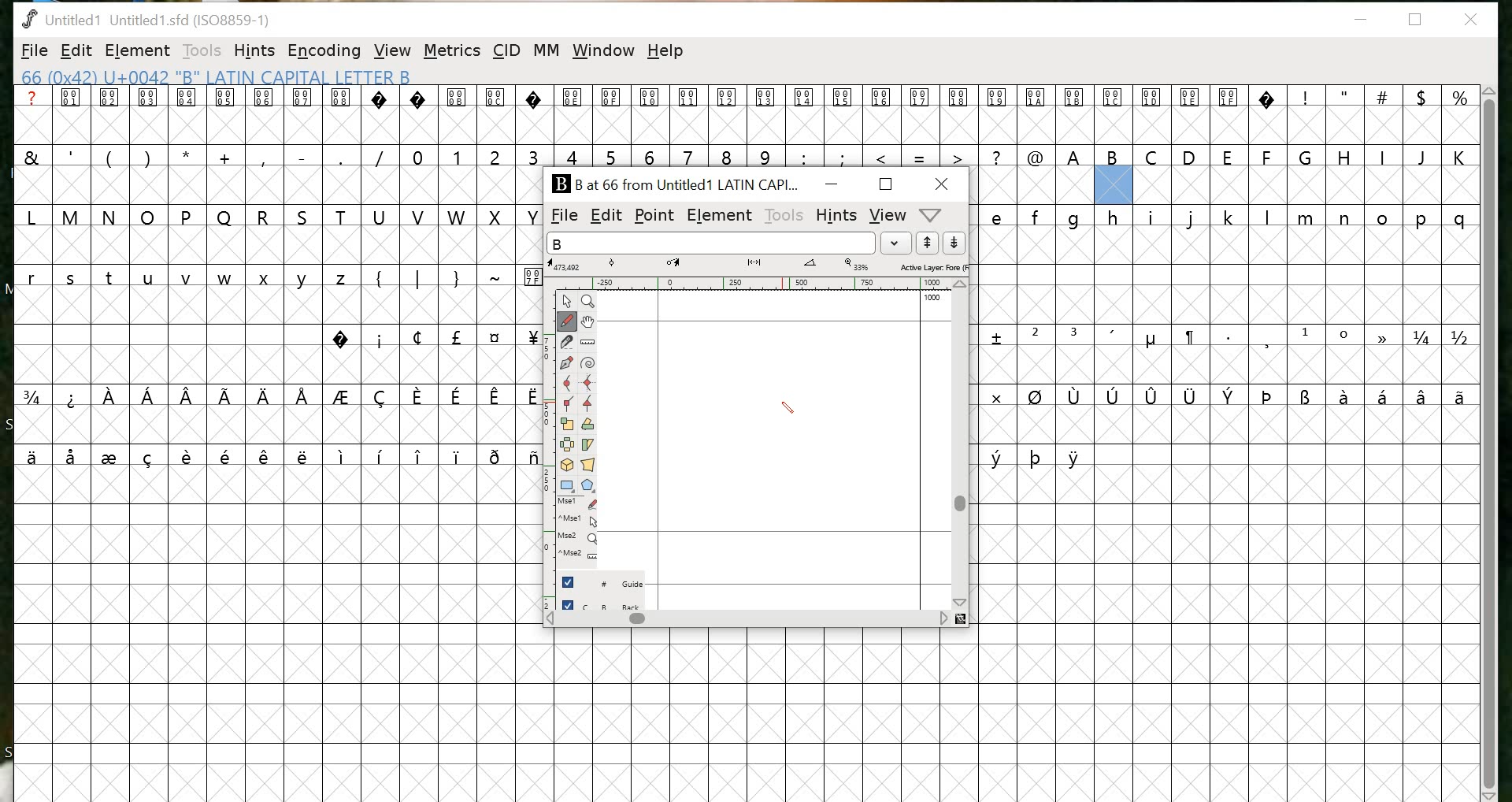 The image size is (1512, 802). What do you see at coordinates (568, 427) in the screenshot?
I see `Scale` at bounding box center [568, 427].